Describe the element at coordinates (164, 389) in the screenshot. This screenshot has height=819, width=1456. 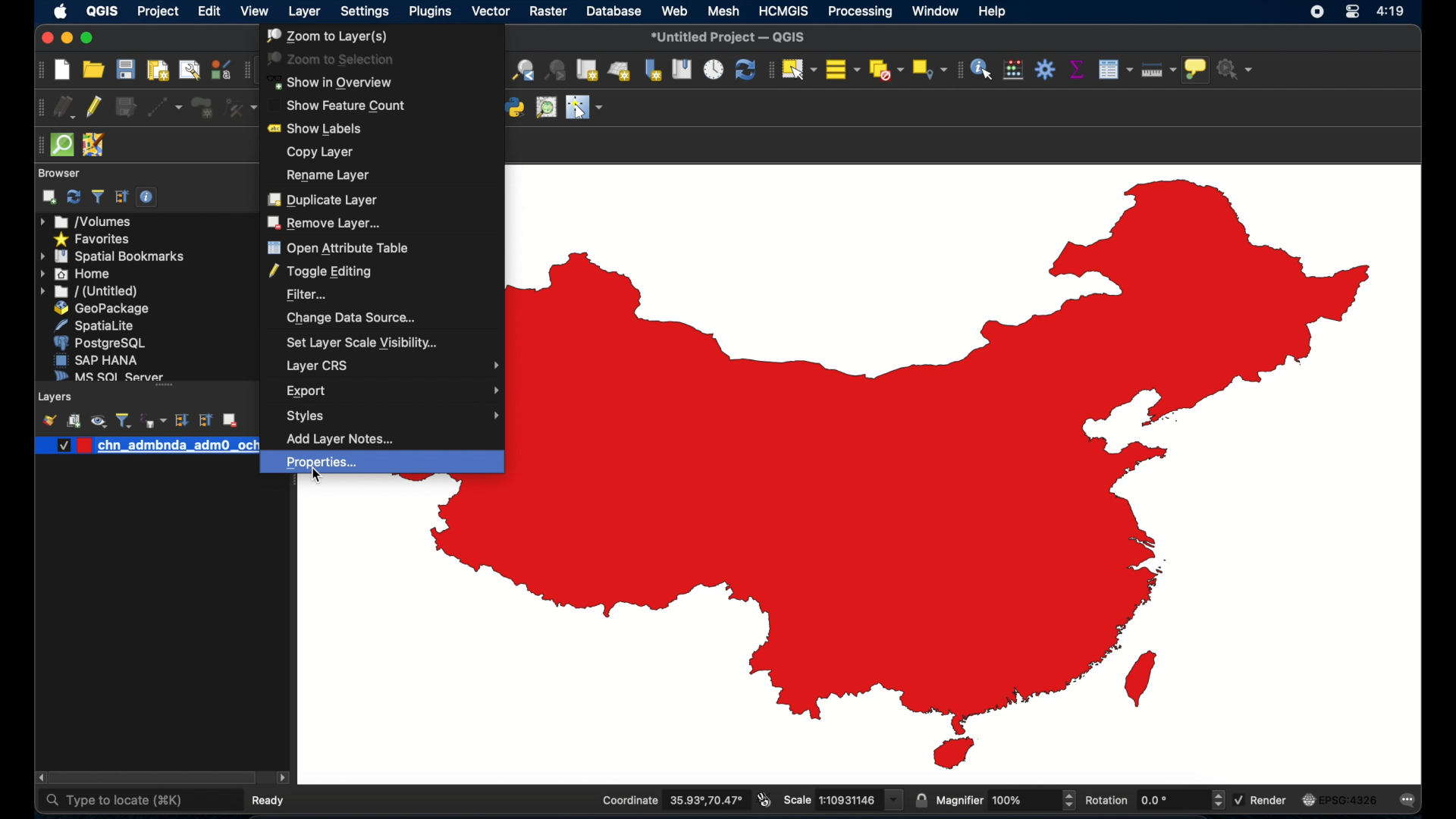
I see `layers` at that location.